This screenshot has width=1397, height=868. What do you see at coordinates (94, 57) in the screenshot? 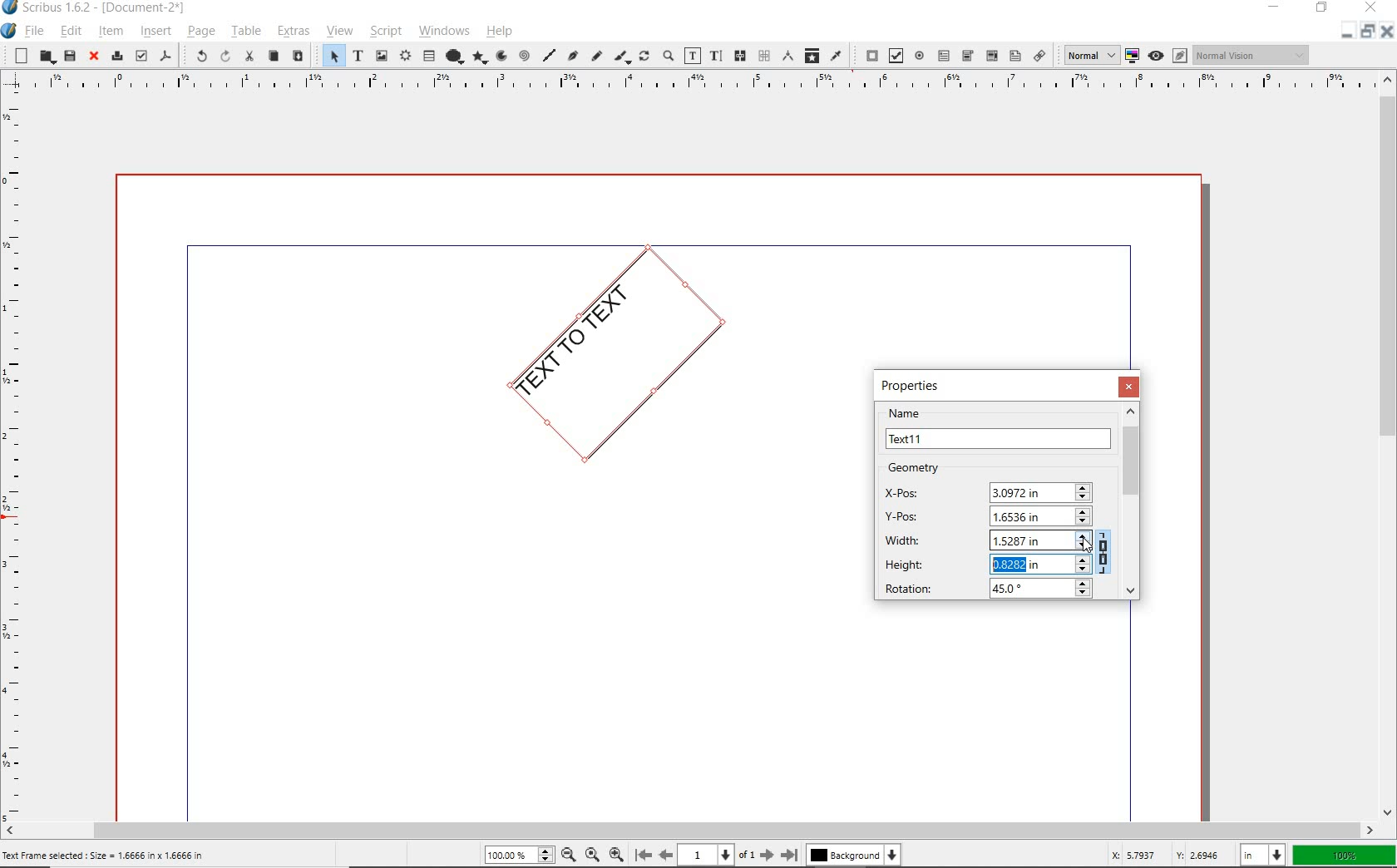
I see `close` at bounding box center [94, 57].